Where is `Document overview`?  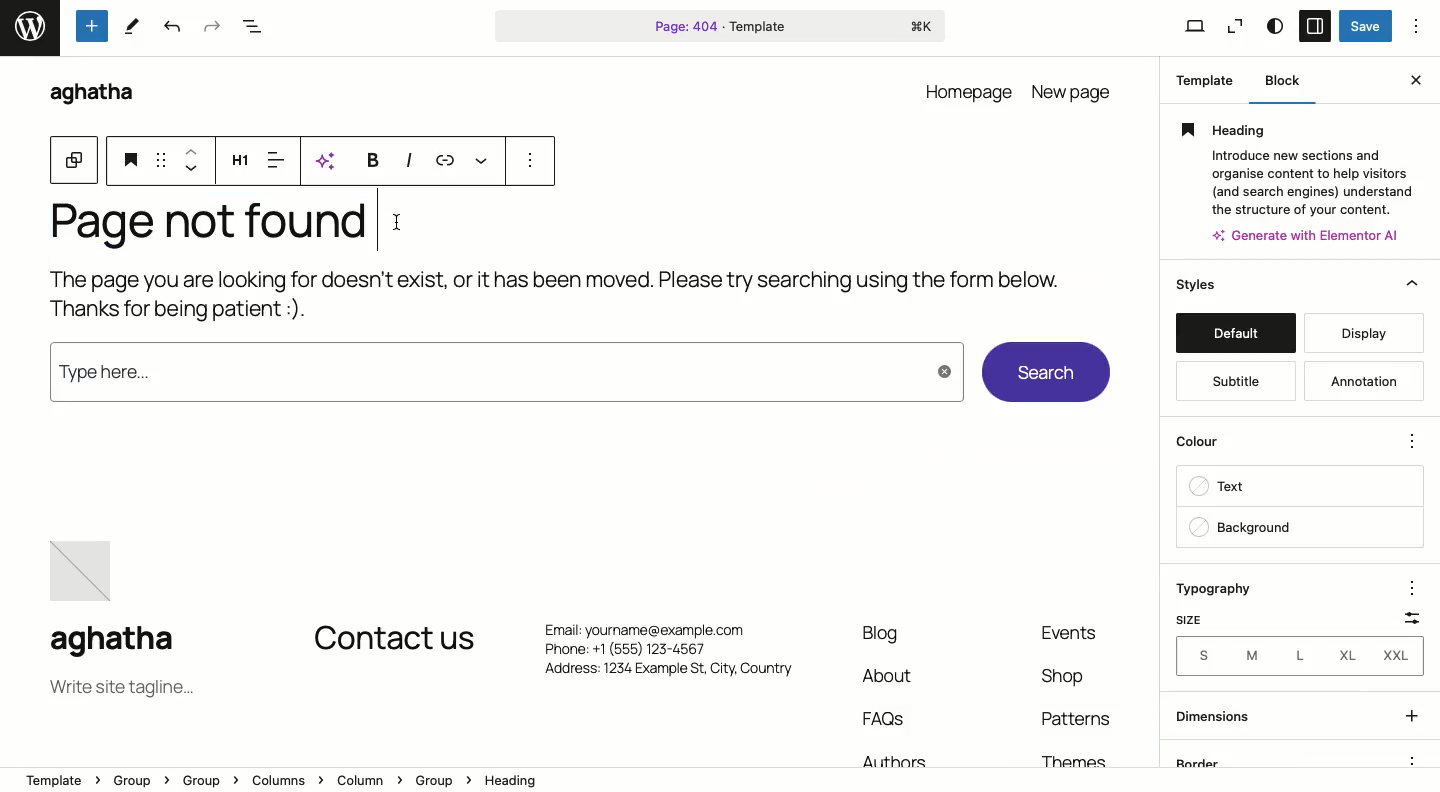 Document overview is located at coordinates (252, 27).